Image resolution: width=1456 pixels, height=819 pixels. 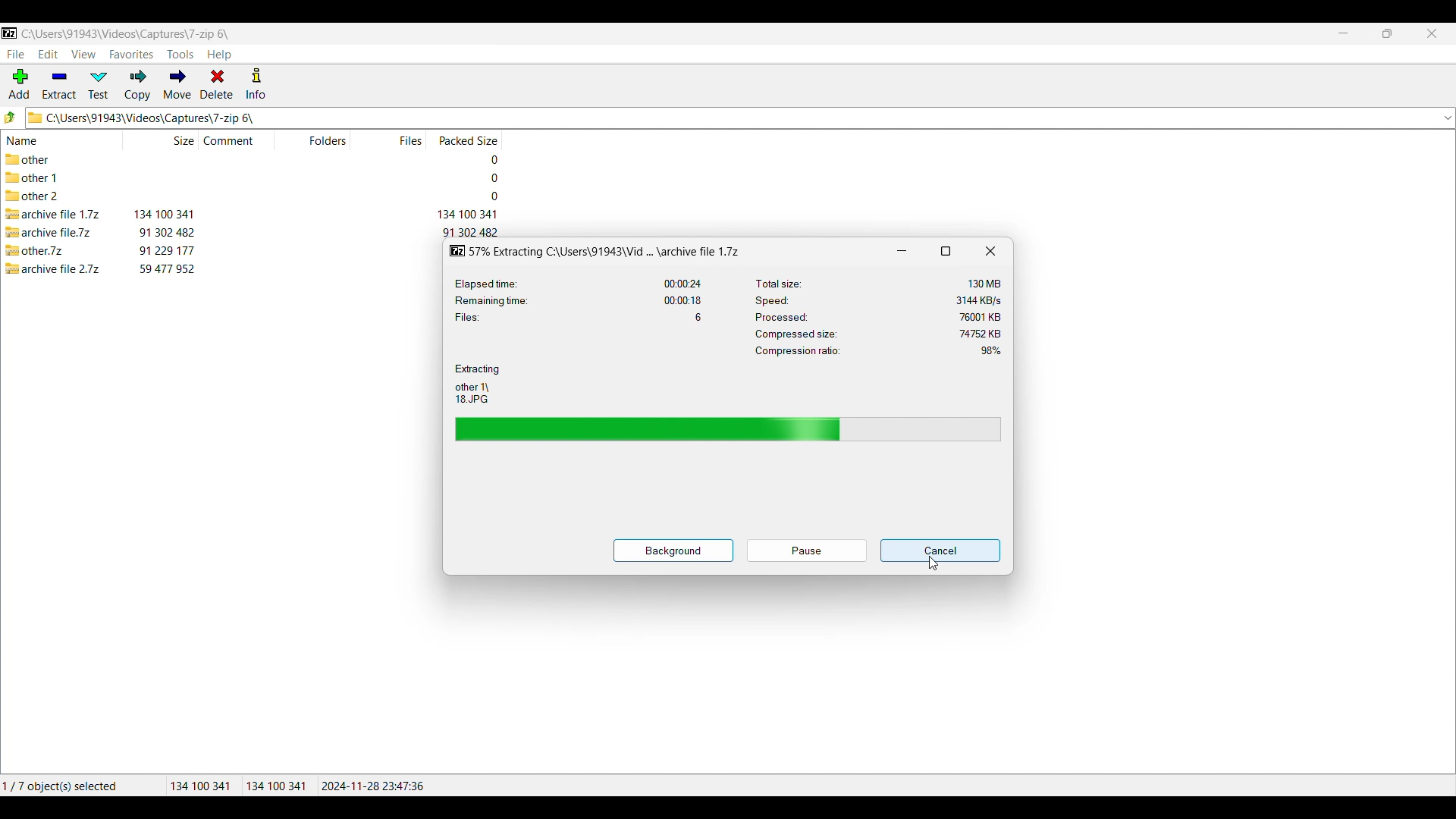 I want to click on archive file 2.7z , so click(x=55, y=268).